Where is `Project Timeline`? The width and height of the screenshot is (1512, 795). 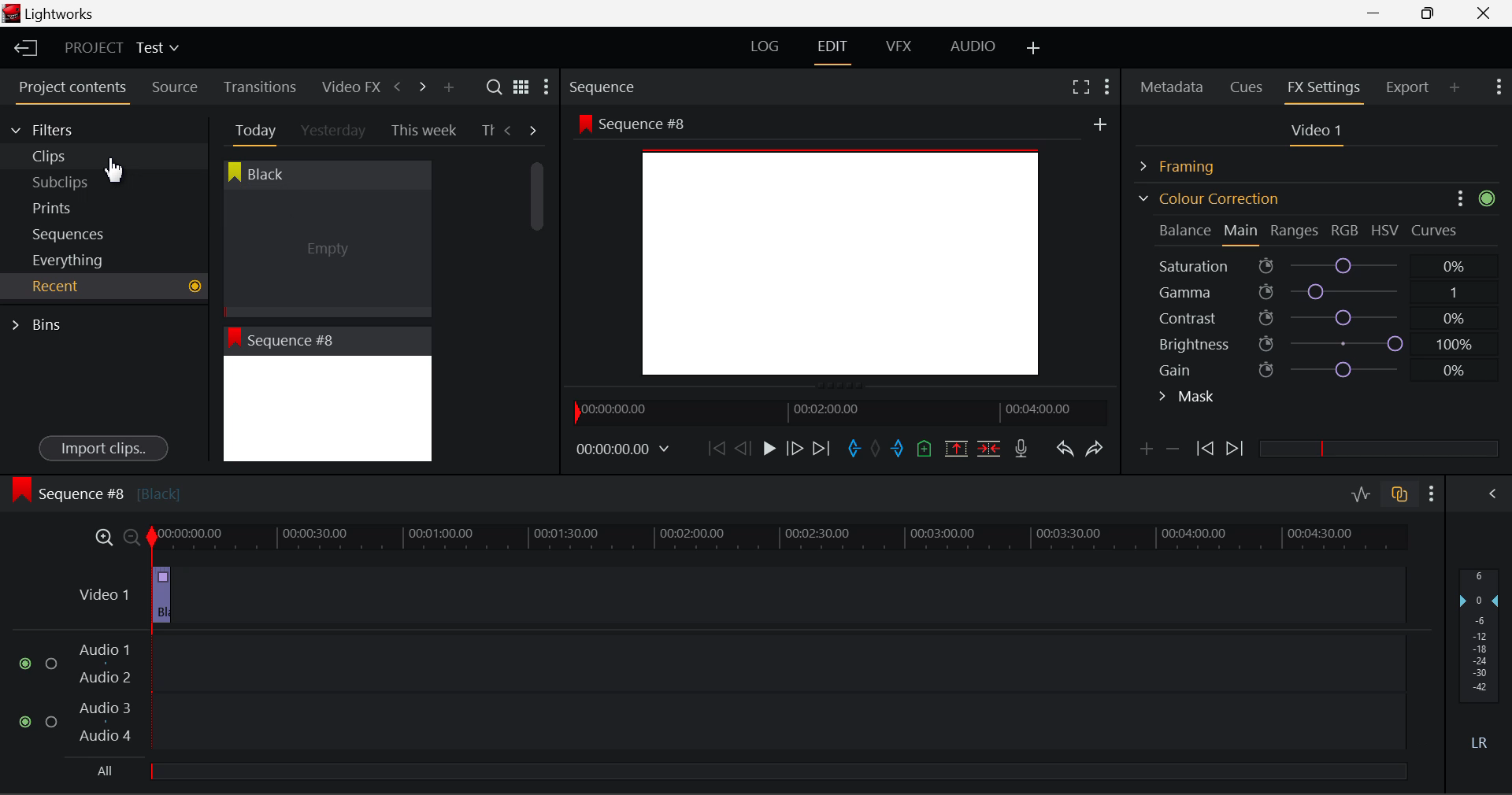
Project Timeline is located at coordinates (780, 538).